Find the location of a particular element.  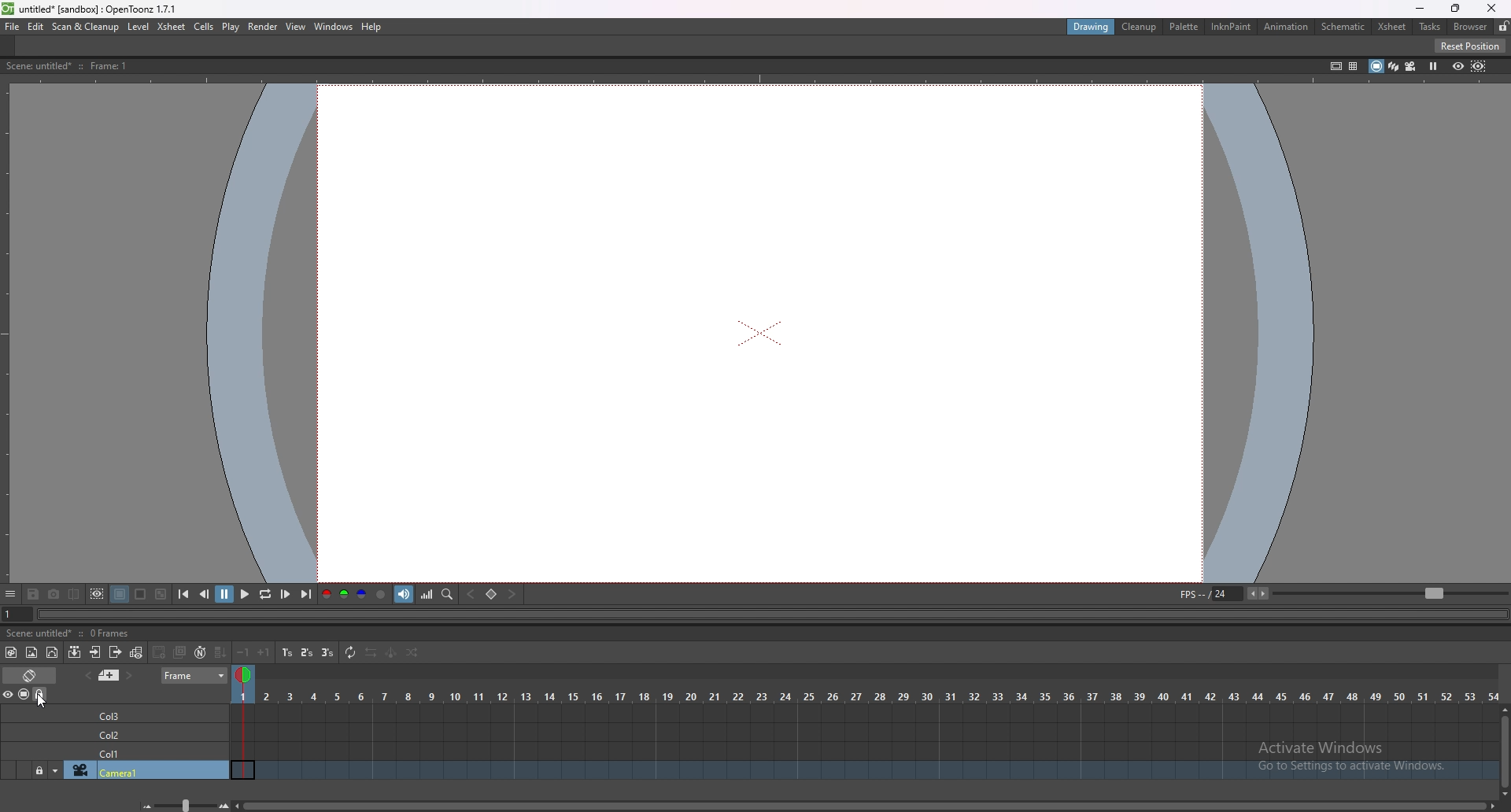

add memo is located at coordinates (109, 675).